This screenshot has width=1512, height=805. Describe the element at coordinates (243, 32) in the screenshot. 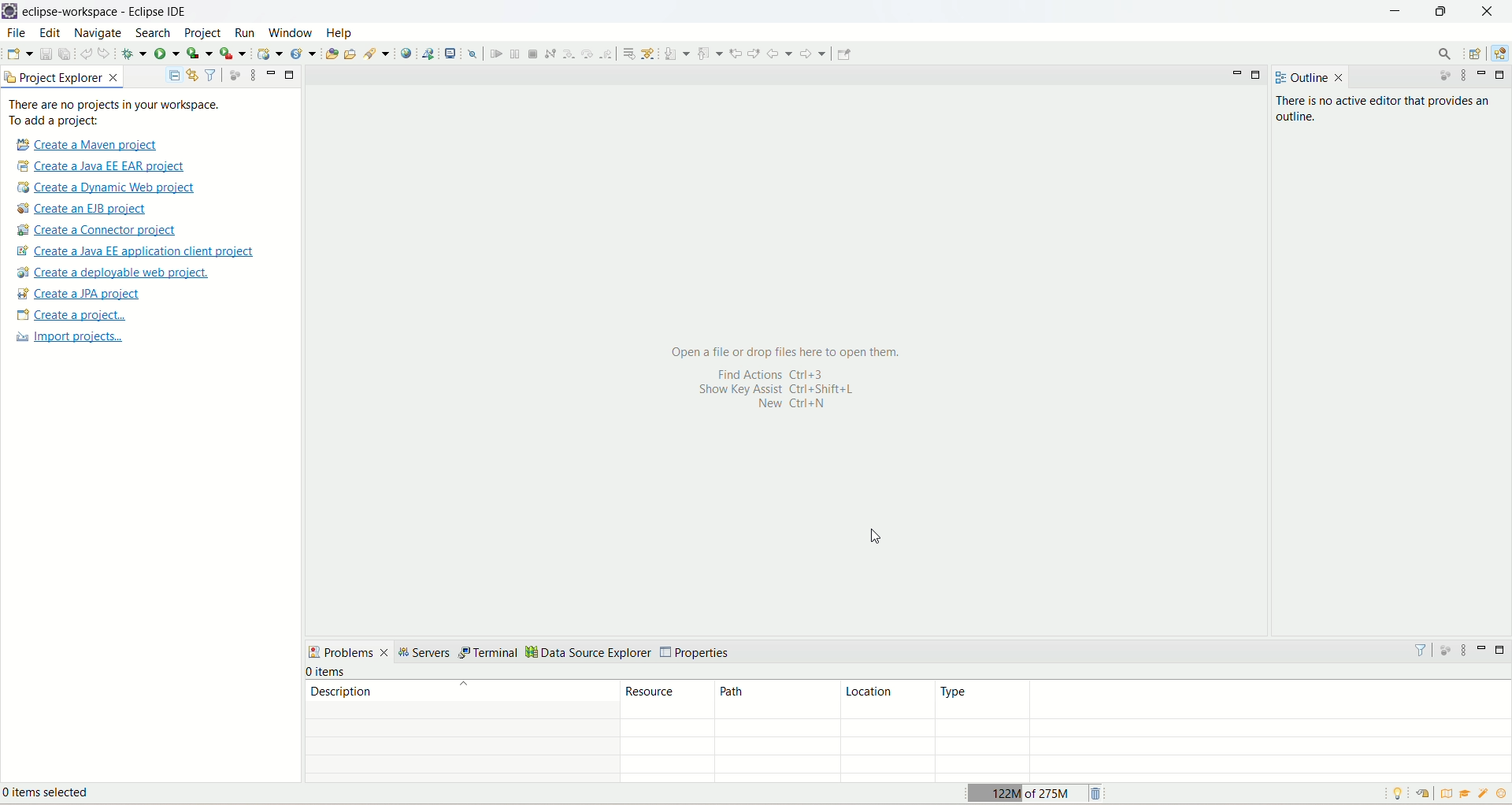

I see `run` at that location.